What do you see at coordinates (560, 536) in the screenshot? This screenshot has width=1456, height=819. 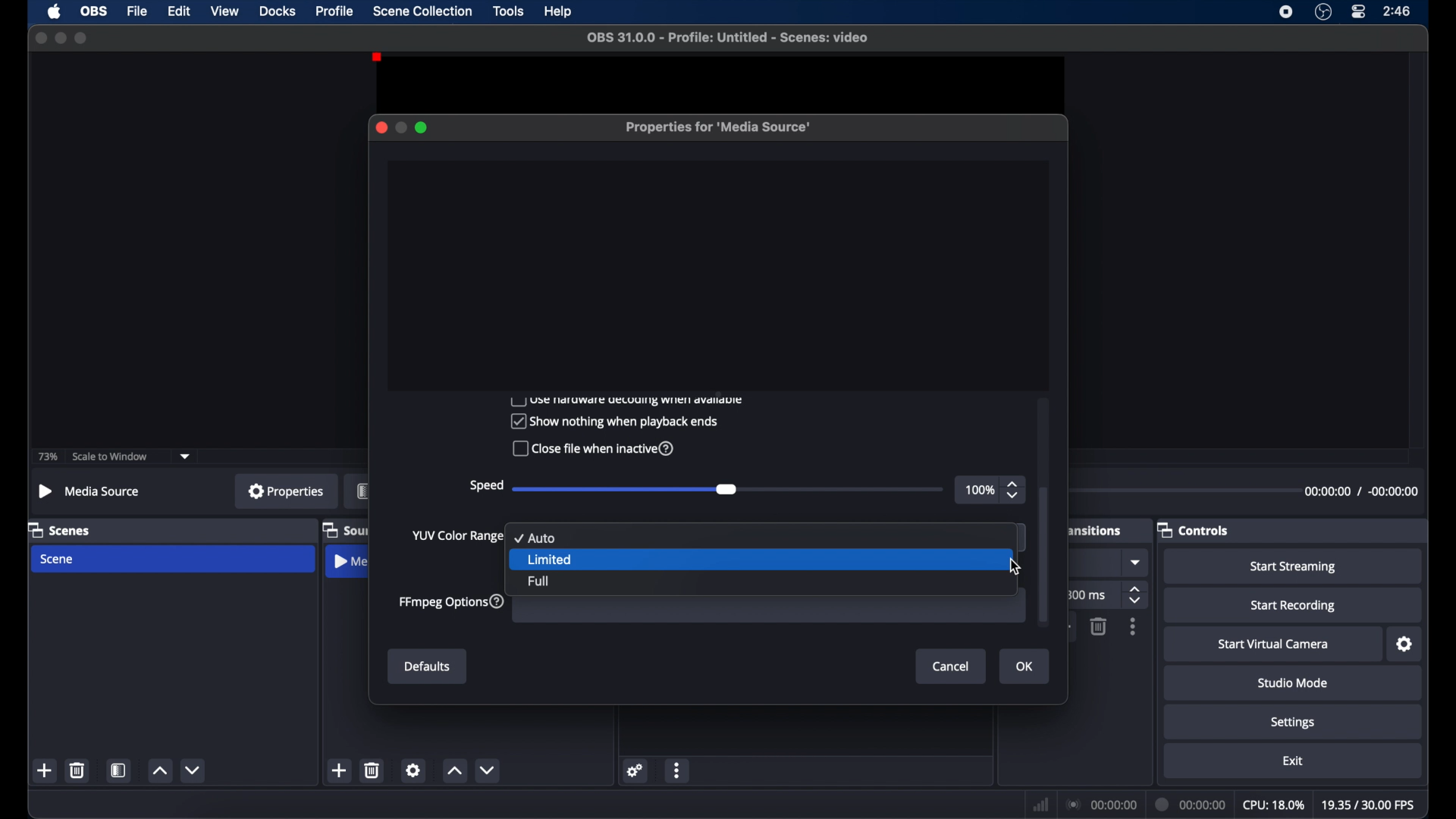 I see `auto` at bounding box center [560, 536].